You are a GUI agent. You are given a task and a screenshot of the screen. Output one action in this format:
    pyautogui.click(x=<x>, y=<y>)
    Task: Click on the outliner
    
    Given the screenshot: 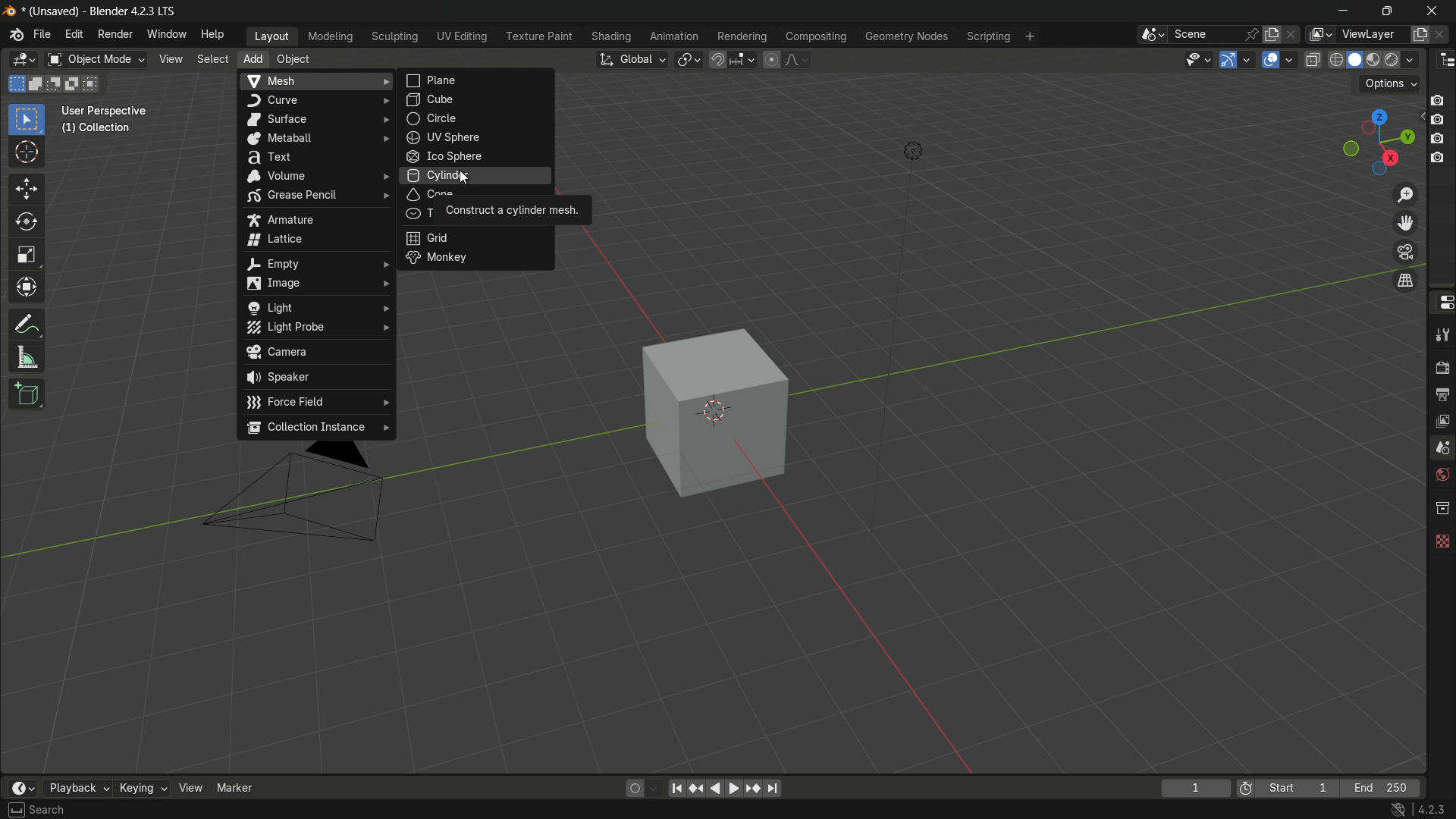 What is the action you would take?
    pyautogui.click(x=1443, y=60)
    